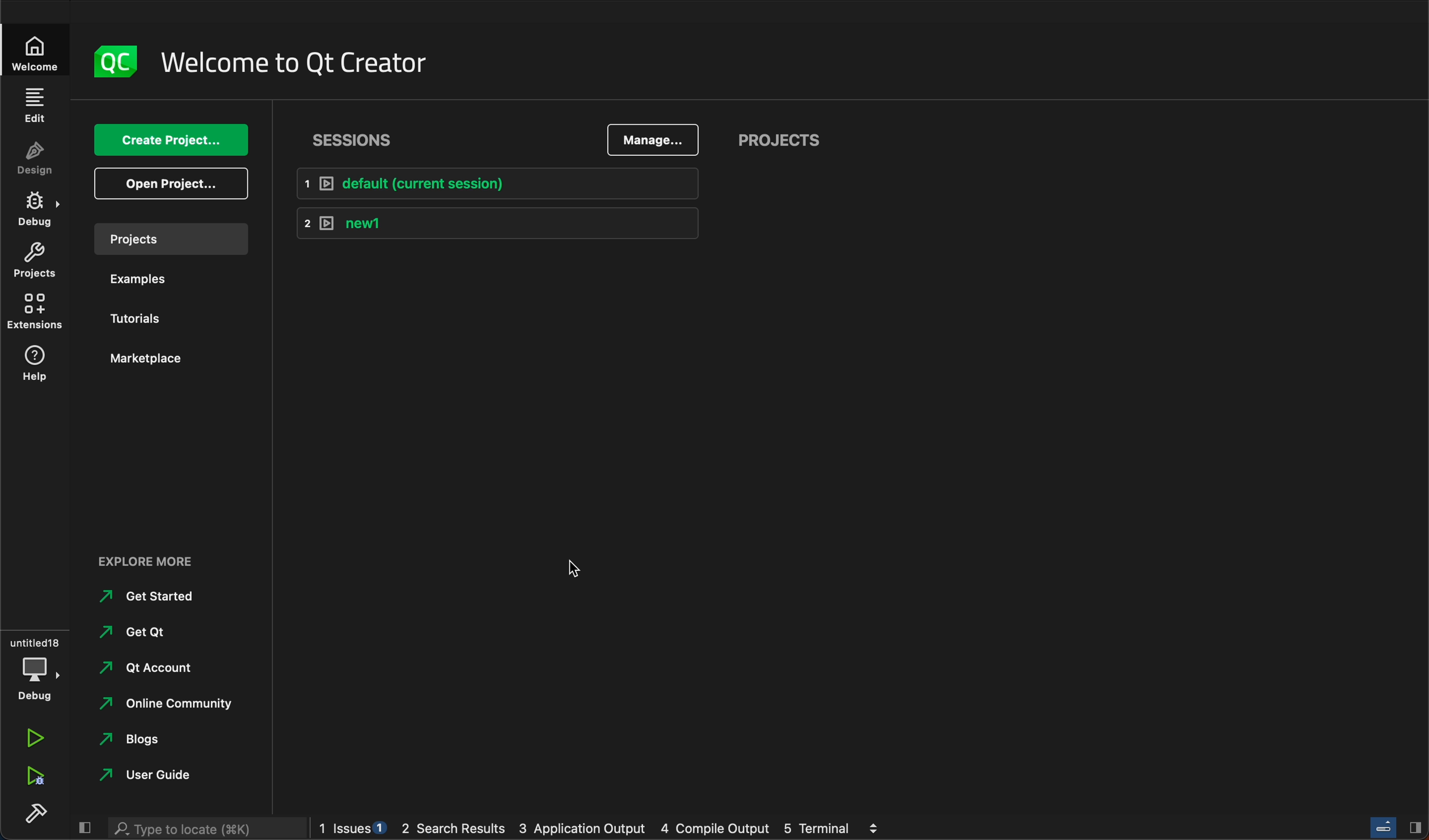  What do you see at coordinates (1398, 829) in the screenshot?
I see `close slide bar` at bounding box center [1398, 829].